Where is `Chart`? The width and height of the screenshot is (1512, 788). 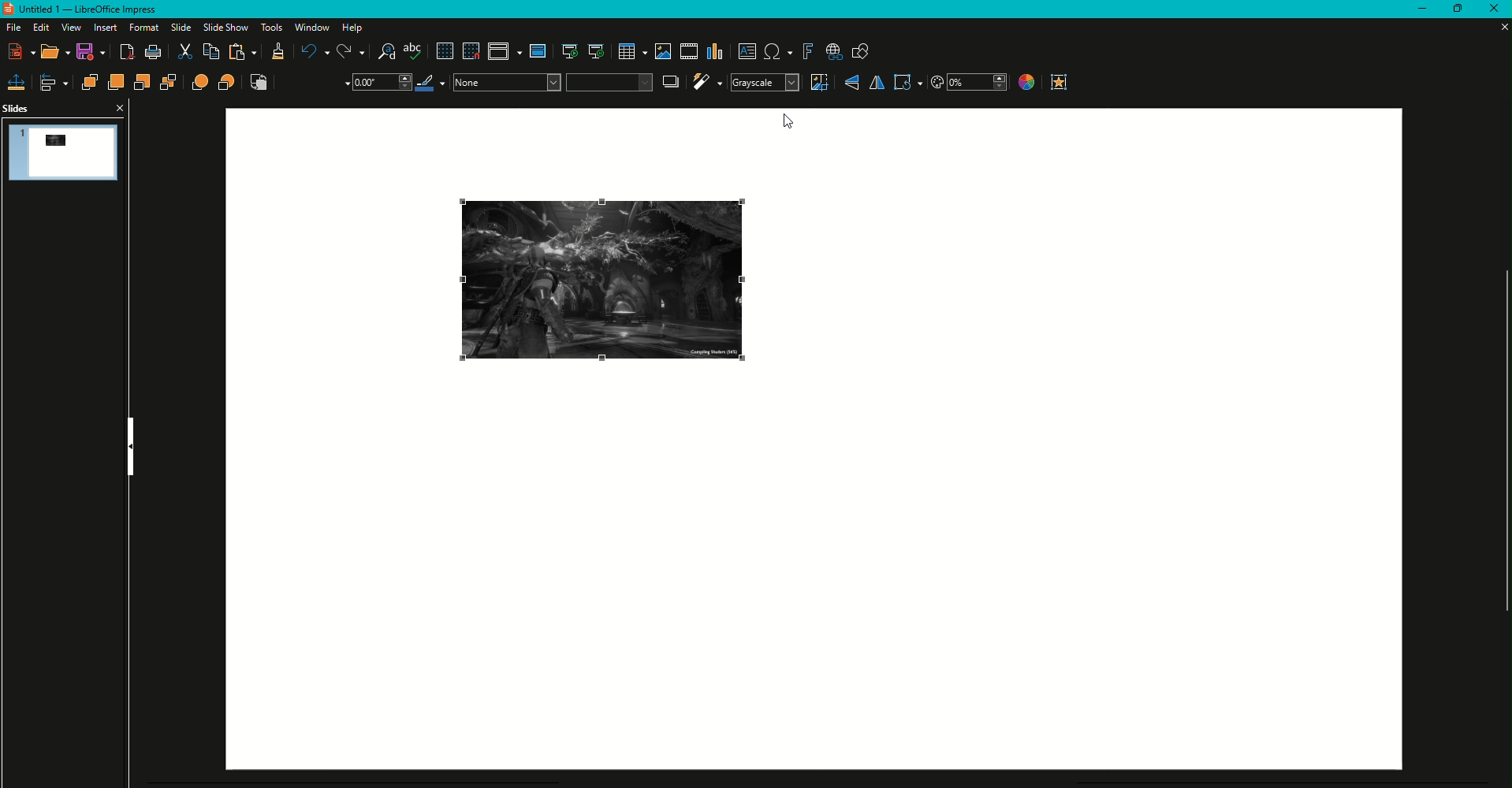 Chart is located at coordinates (716, 52).